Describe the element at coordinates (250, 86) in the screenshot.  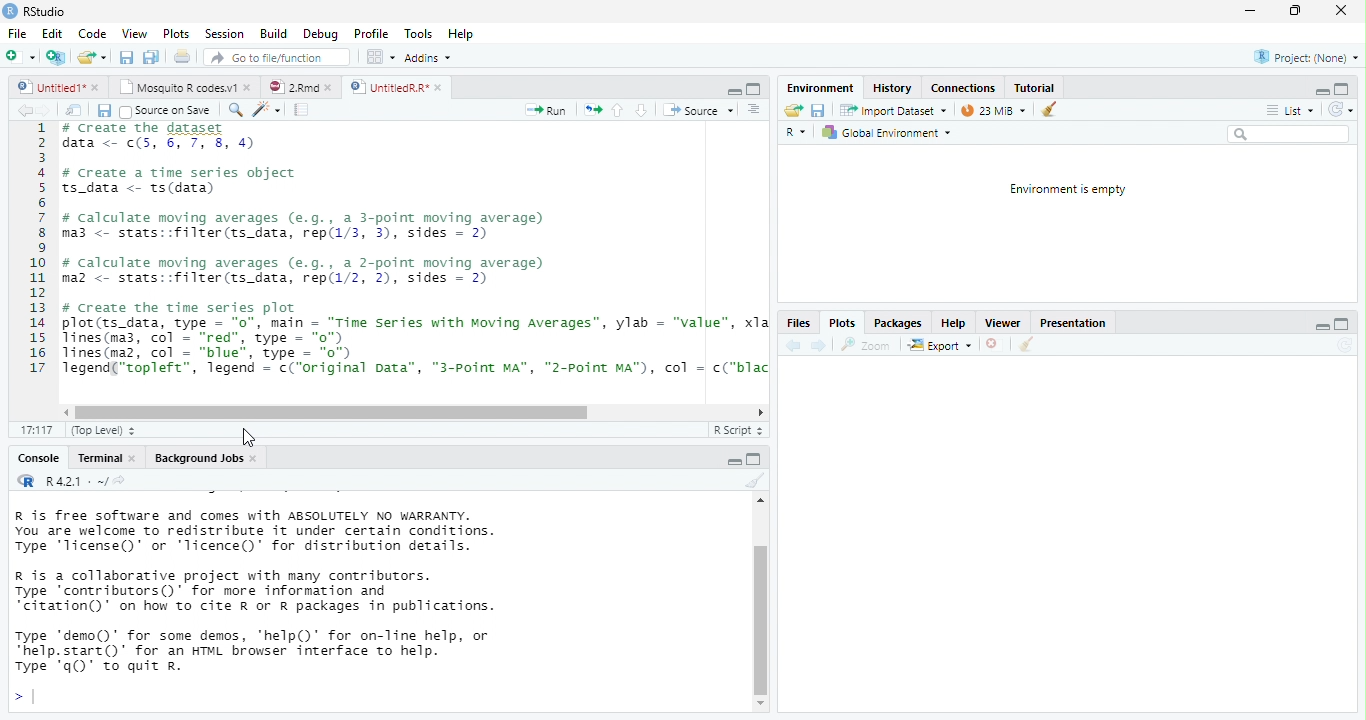
I see `close` at that location.